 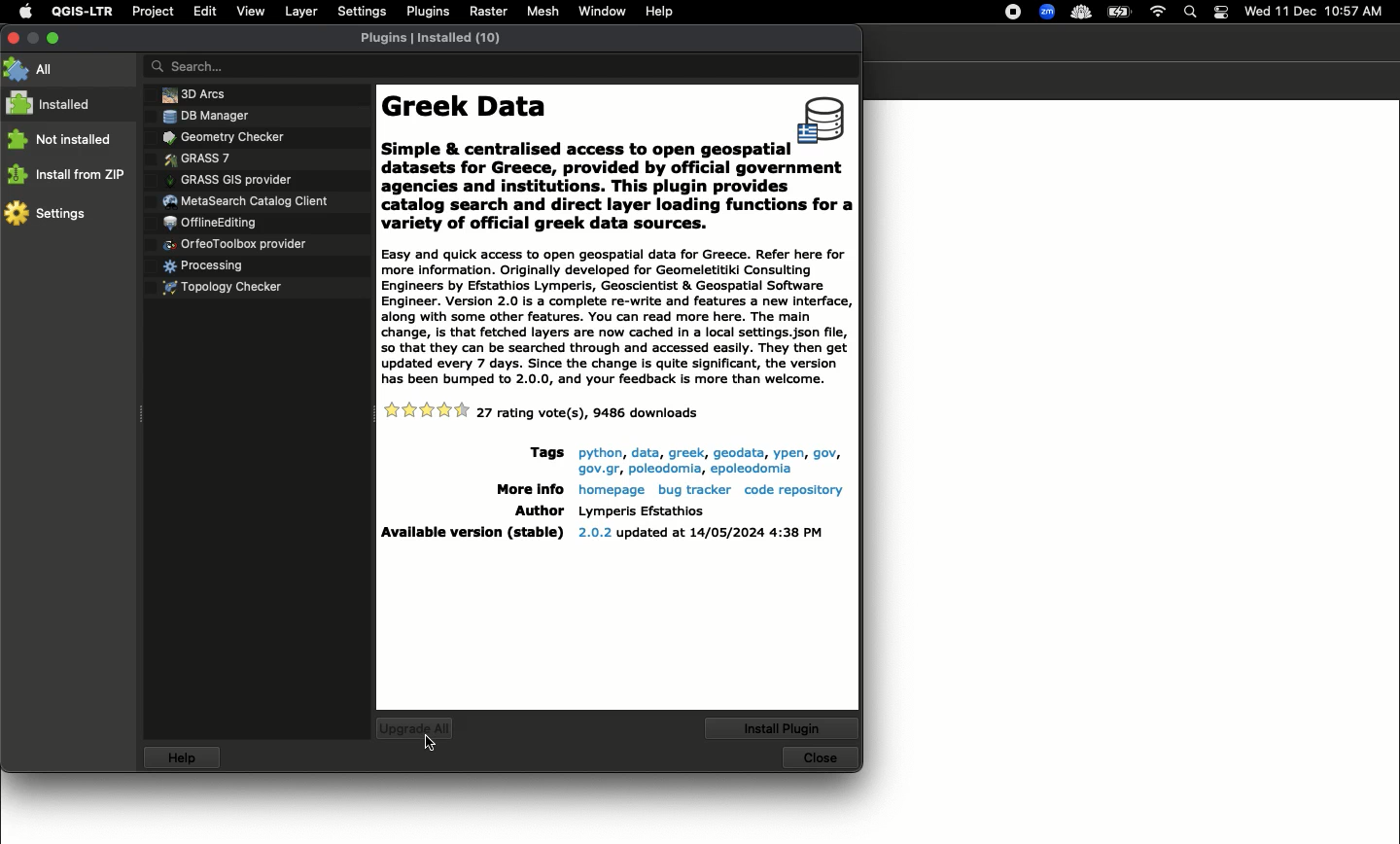 I want to click on Upgrade all, so click(x=415, y=731).